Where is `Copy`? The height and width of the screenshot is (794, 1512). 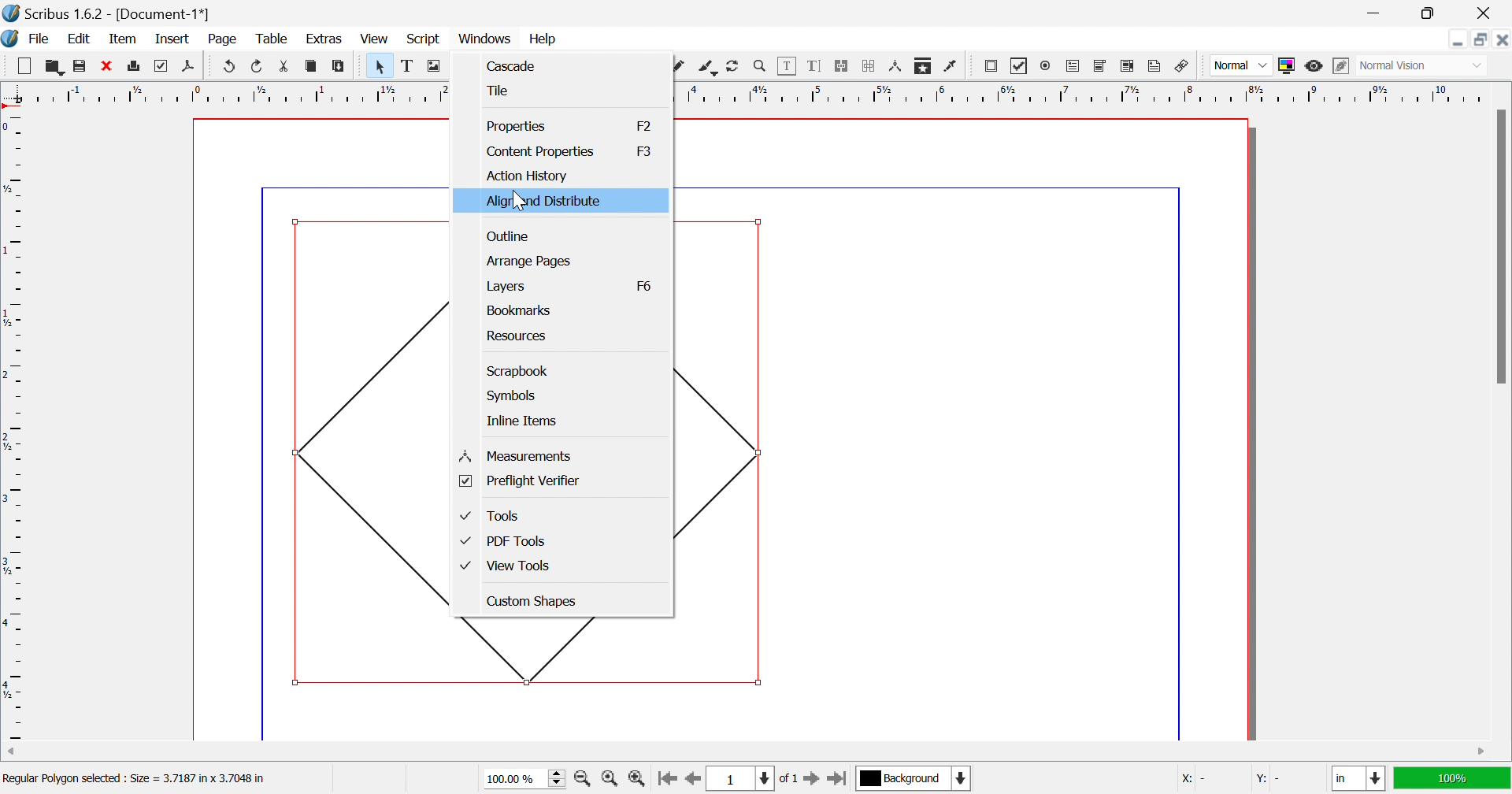
Copy is located at coordinates (311, 65).